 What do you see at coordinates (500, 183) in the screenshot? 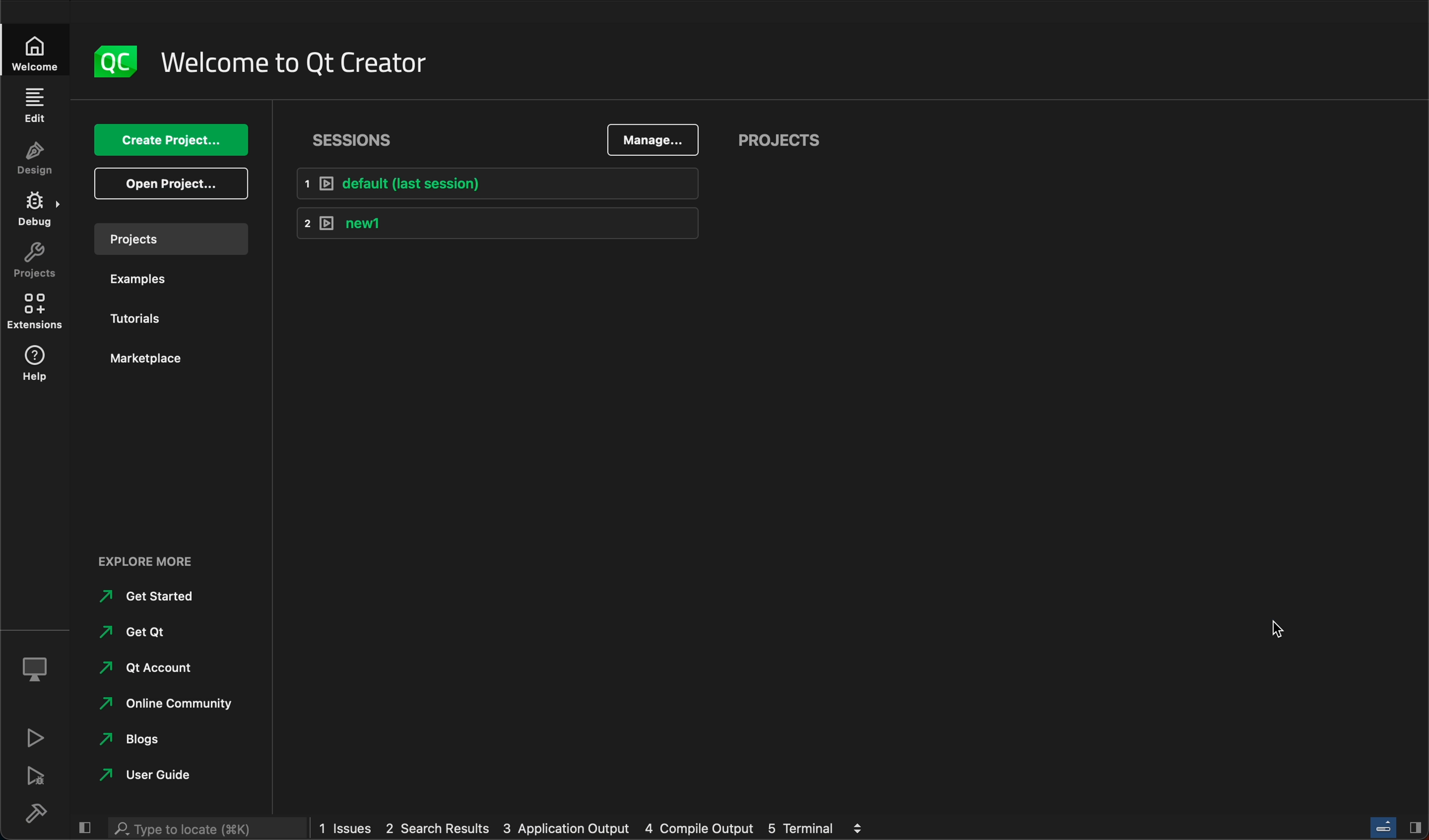
I see `1 default (last session)` at bounding box center [500, 183].